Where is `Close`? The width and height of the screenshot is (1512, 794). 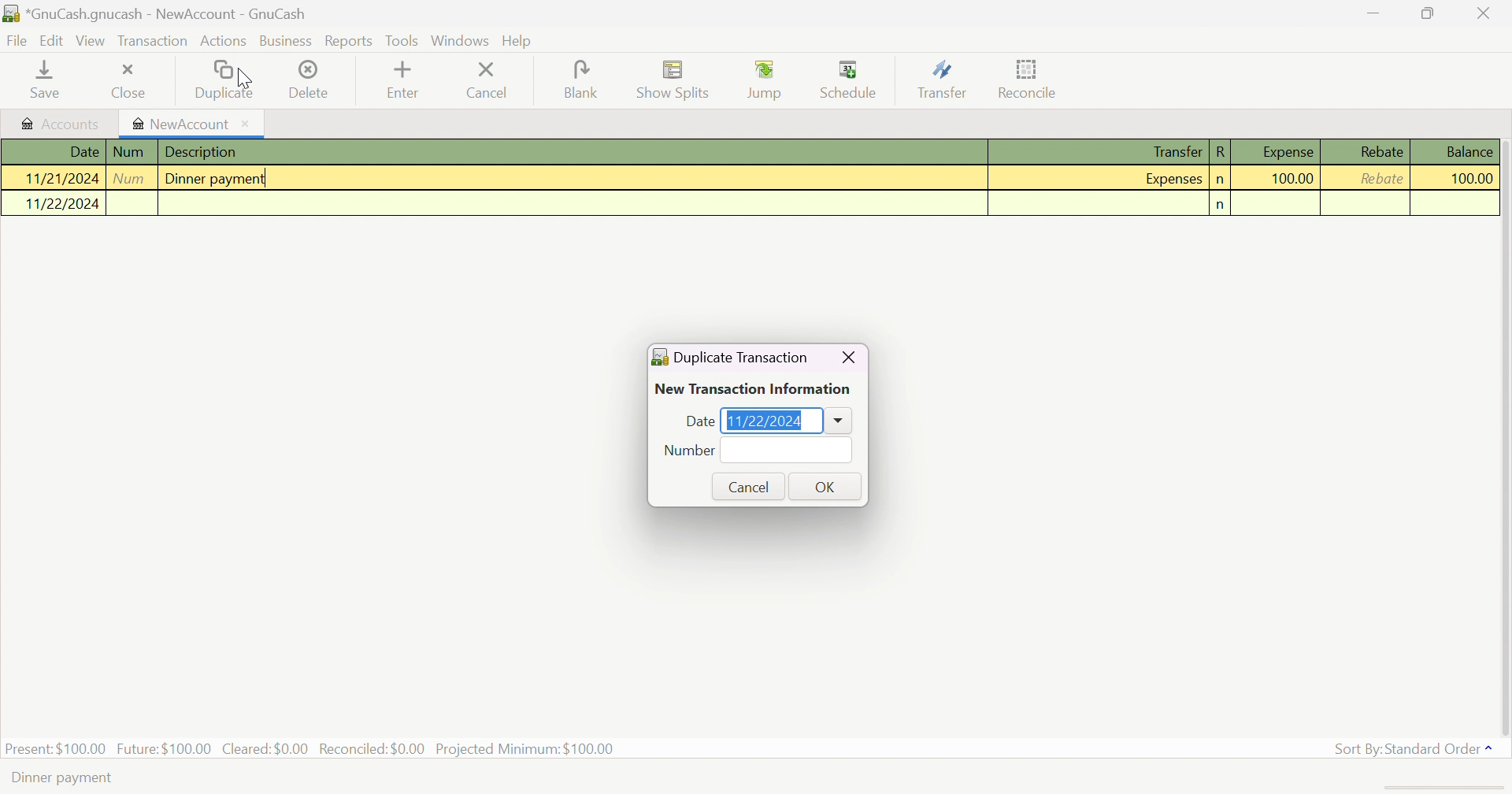
Close is located at coordinates (127, 83).